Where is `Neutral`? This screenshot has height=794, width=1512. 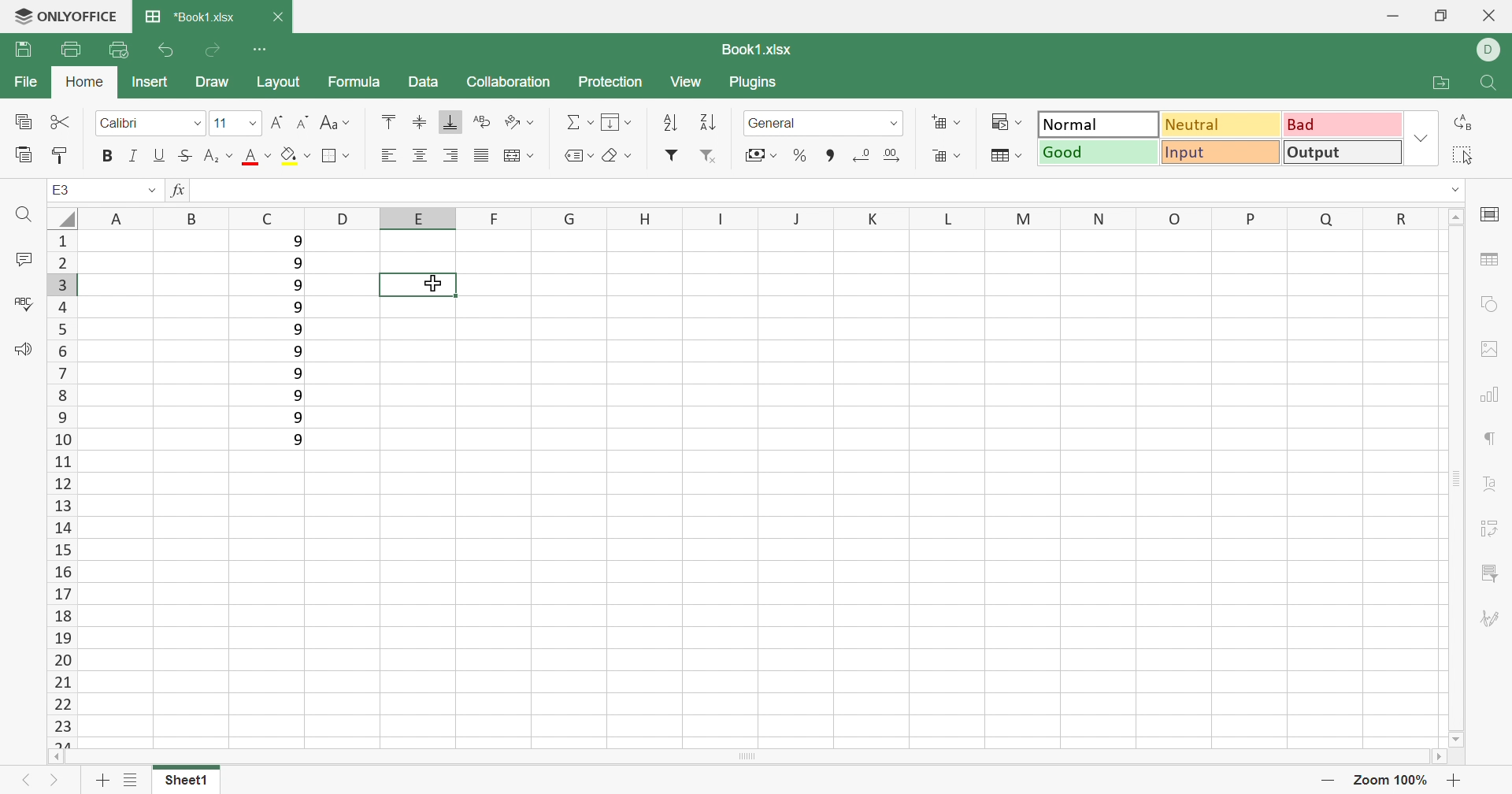 Neutral is located at coordinates (1221, 126).